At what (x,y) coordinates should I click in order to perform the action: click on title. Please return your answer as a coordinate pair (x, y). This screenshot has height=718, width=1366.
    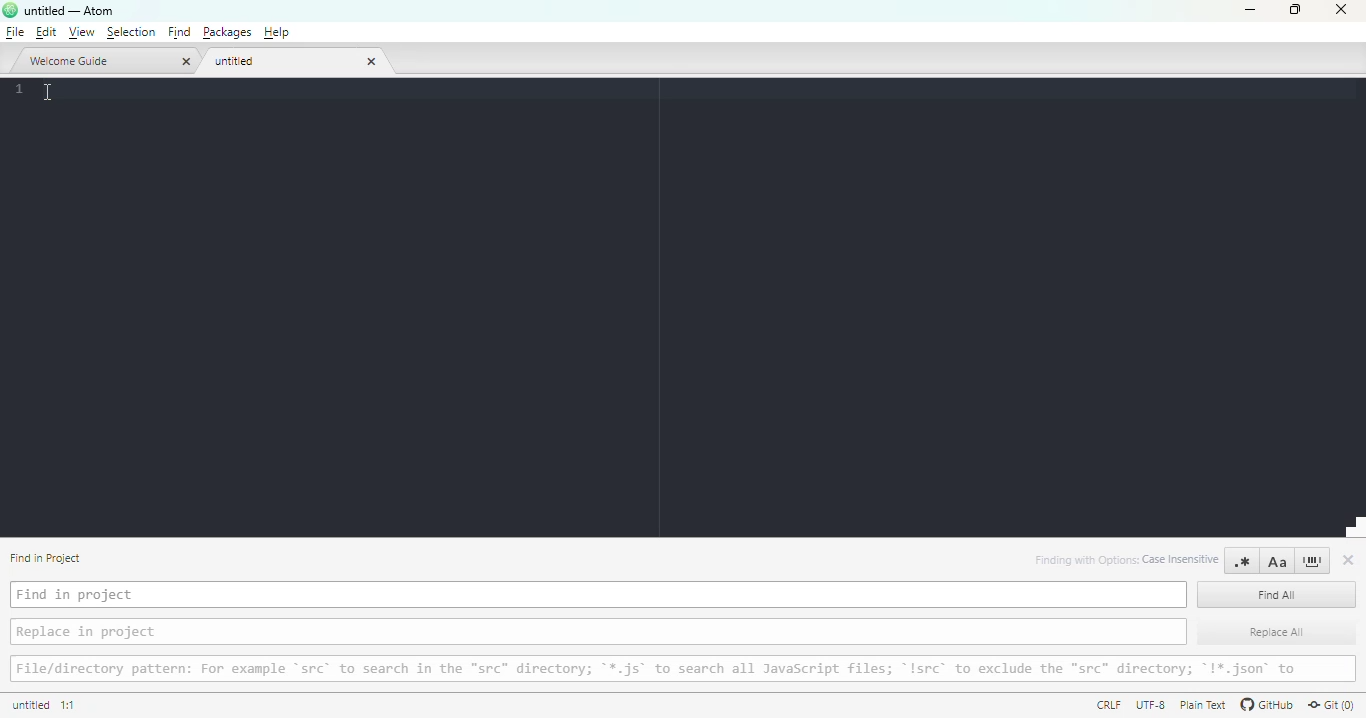
    Looking at the image, I should click on (70, 11).